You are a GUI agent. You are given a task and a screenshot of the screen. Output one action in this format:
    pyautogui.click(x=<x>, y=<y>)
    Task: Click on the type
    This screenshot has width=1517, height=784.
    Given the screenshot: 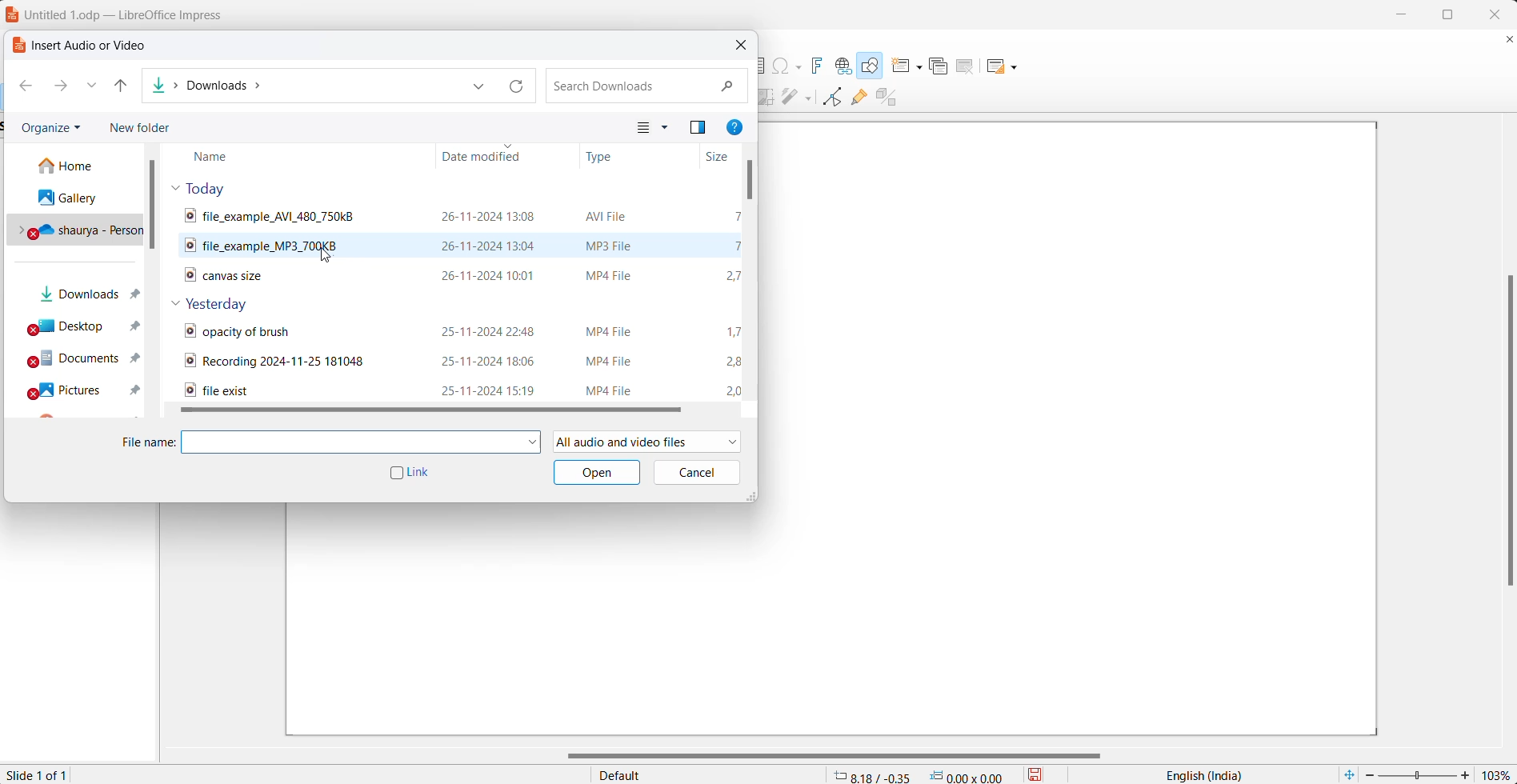 What is the action you would take?
    pyautogui.click(x=612, y=158)
    